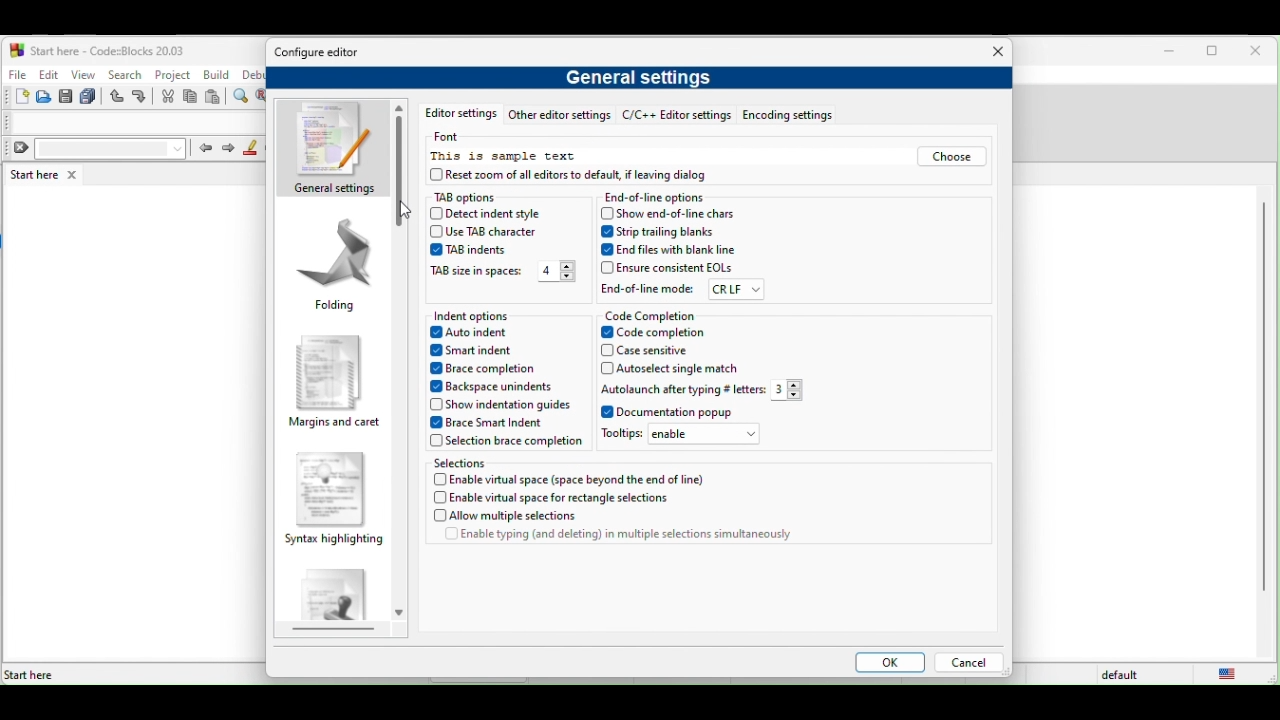 This screenshot has height=720, width=1280. I want to click on reset zoom of all editors to default, if leaving dialog, so click(589, 177).